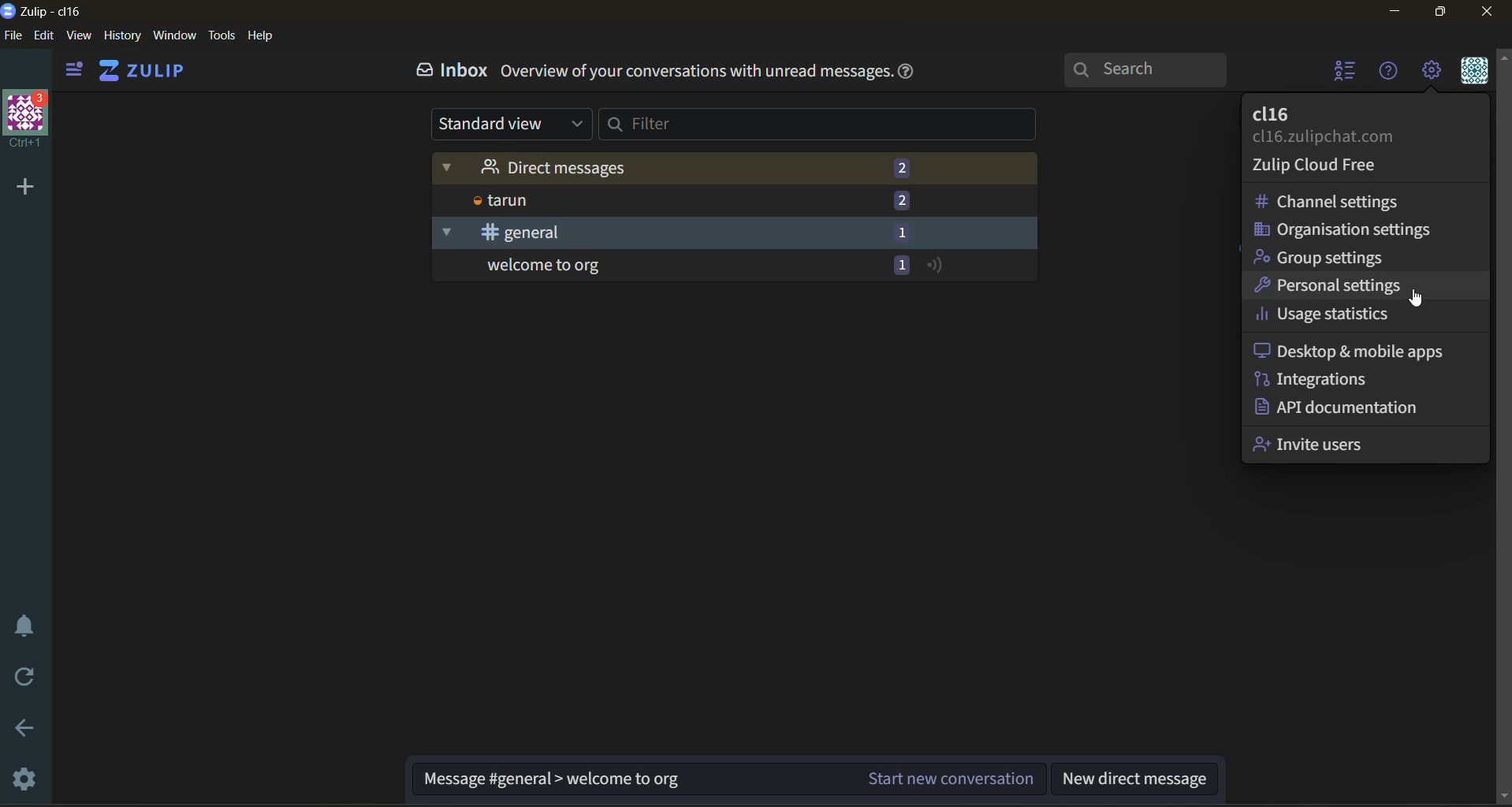  I want to click on filter, so click(828, 124).